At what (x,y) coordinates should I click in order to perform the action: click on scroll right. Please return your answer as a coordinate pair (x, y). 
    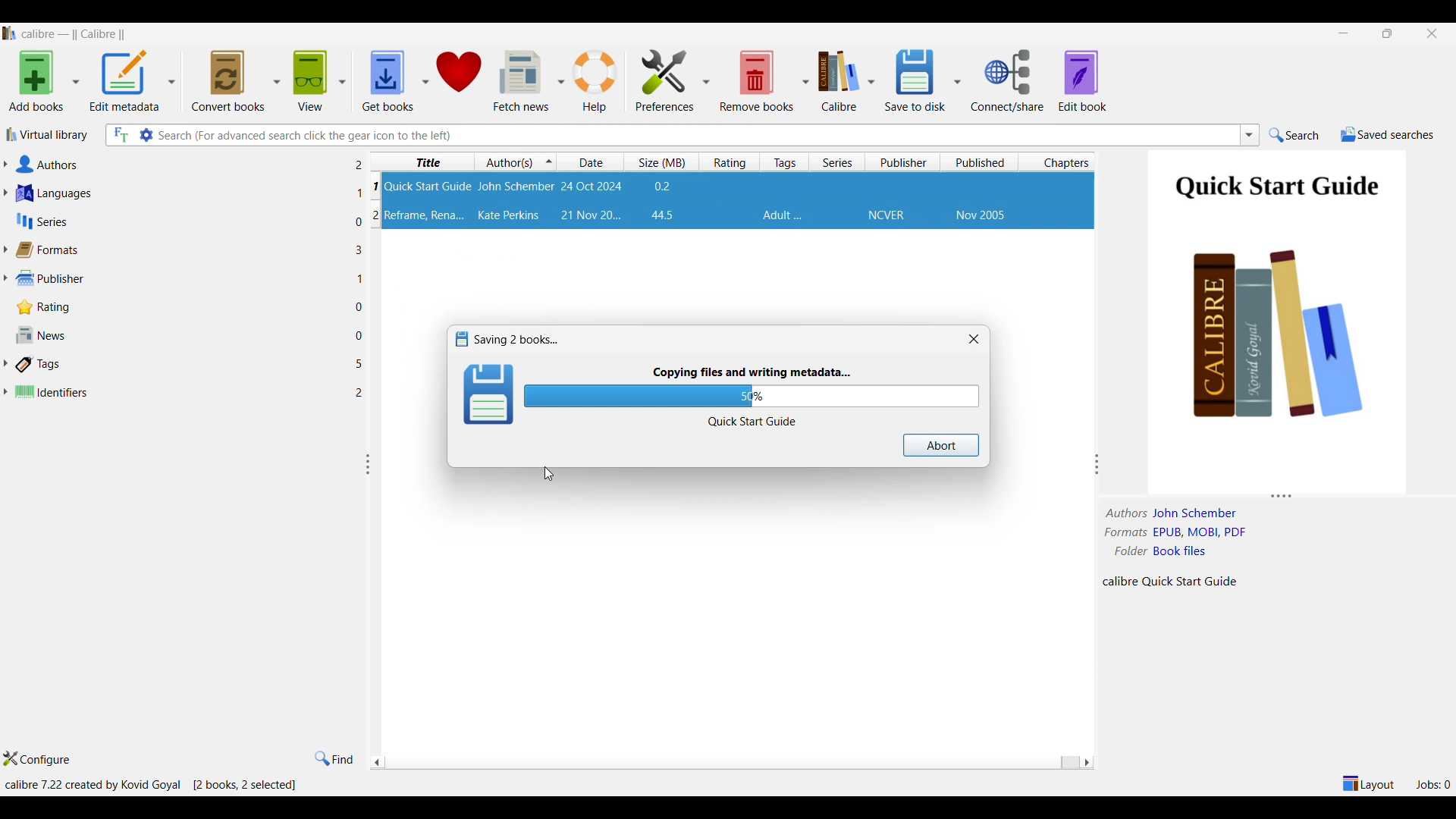
    Looking at the image, I should click on (376, 764).